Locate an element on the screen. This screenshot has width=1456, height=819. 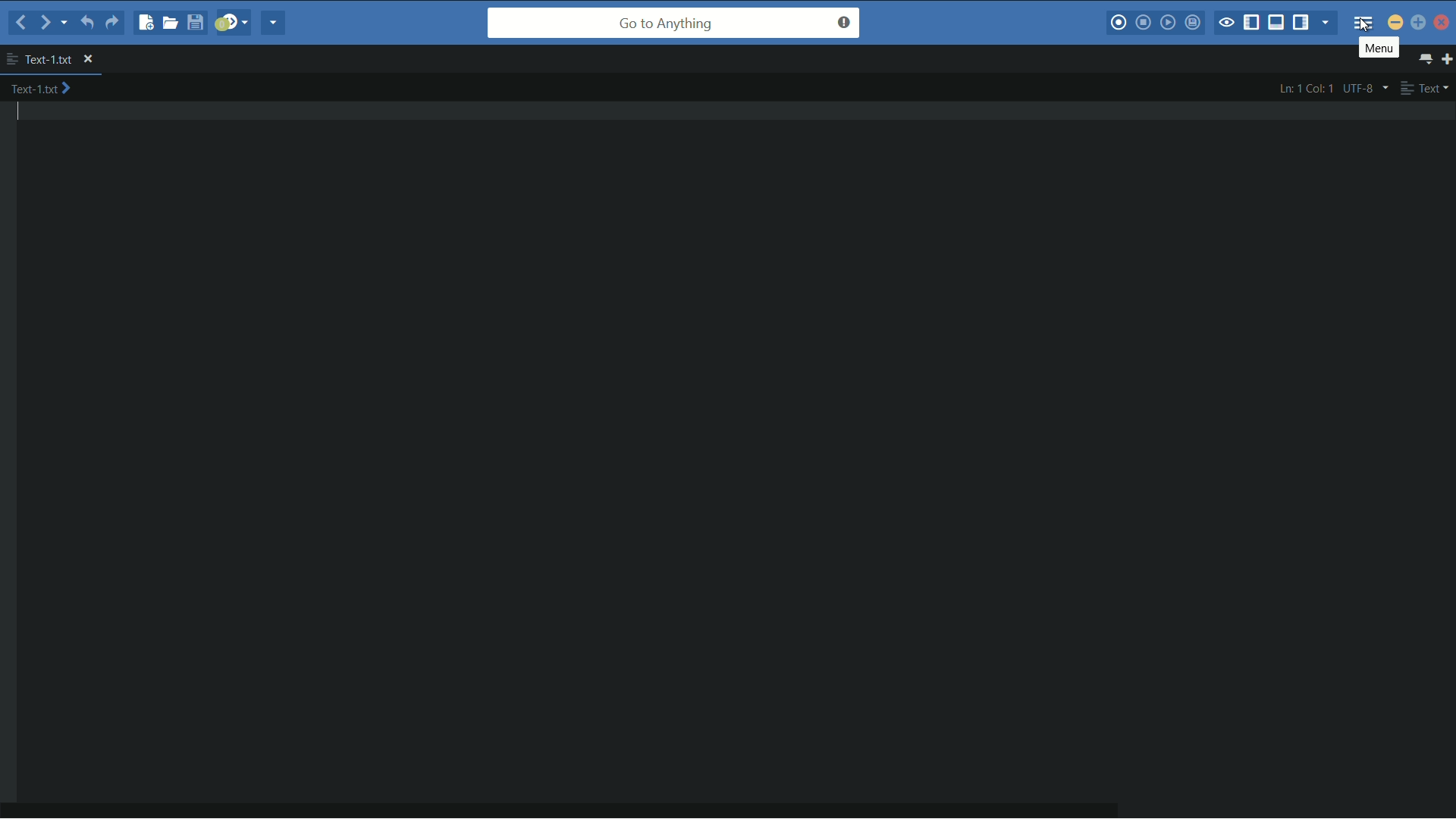
show all tabs is located at coordinates (1423, 58).